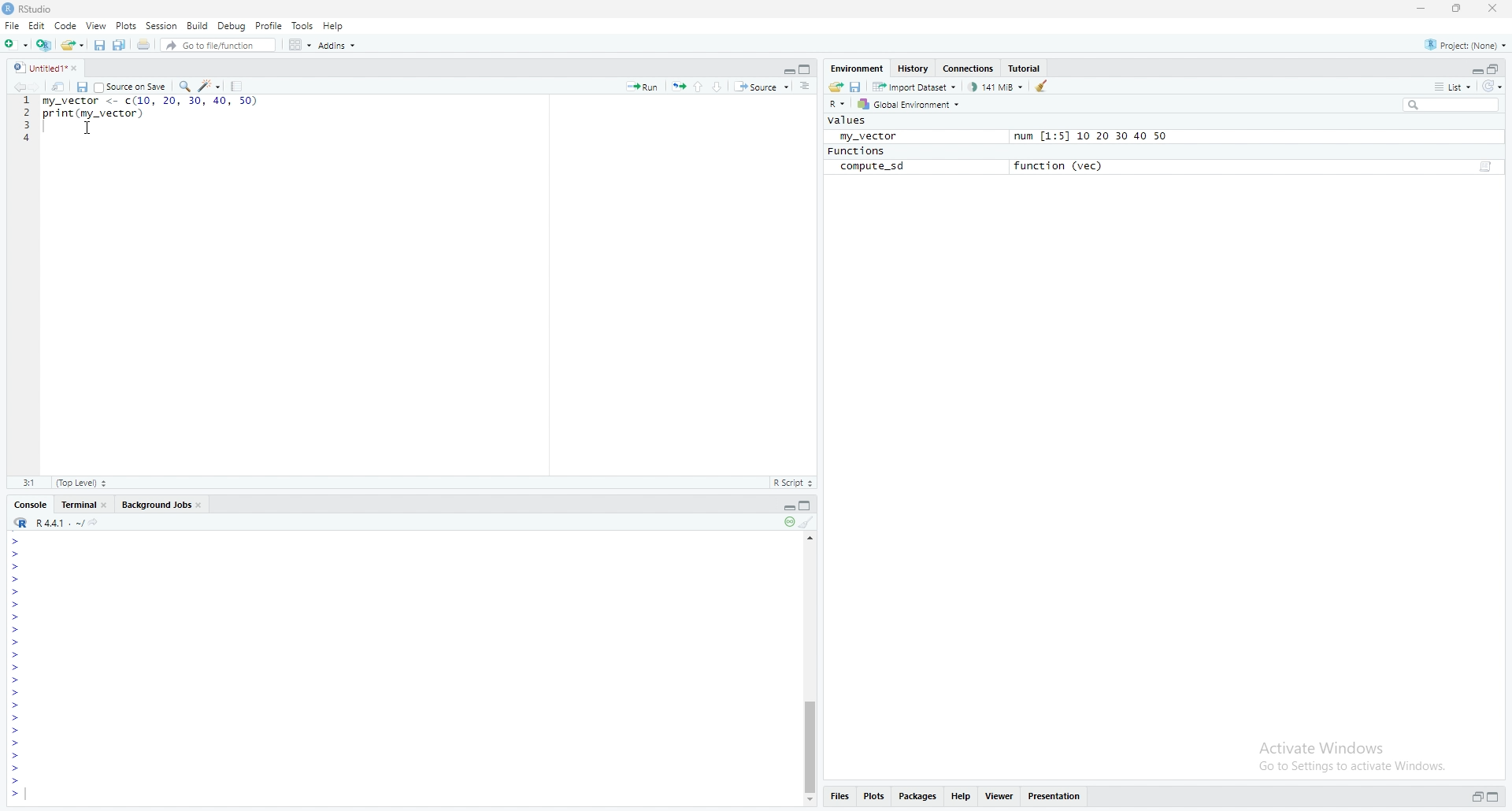 The width and height of the screenshot is (1512, 811). What do you see at coordinates (1424, 9) in the screenshot?
I see `Minimize` at bounding box center [1424, 9].